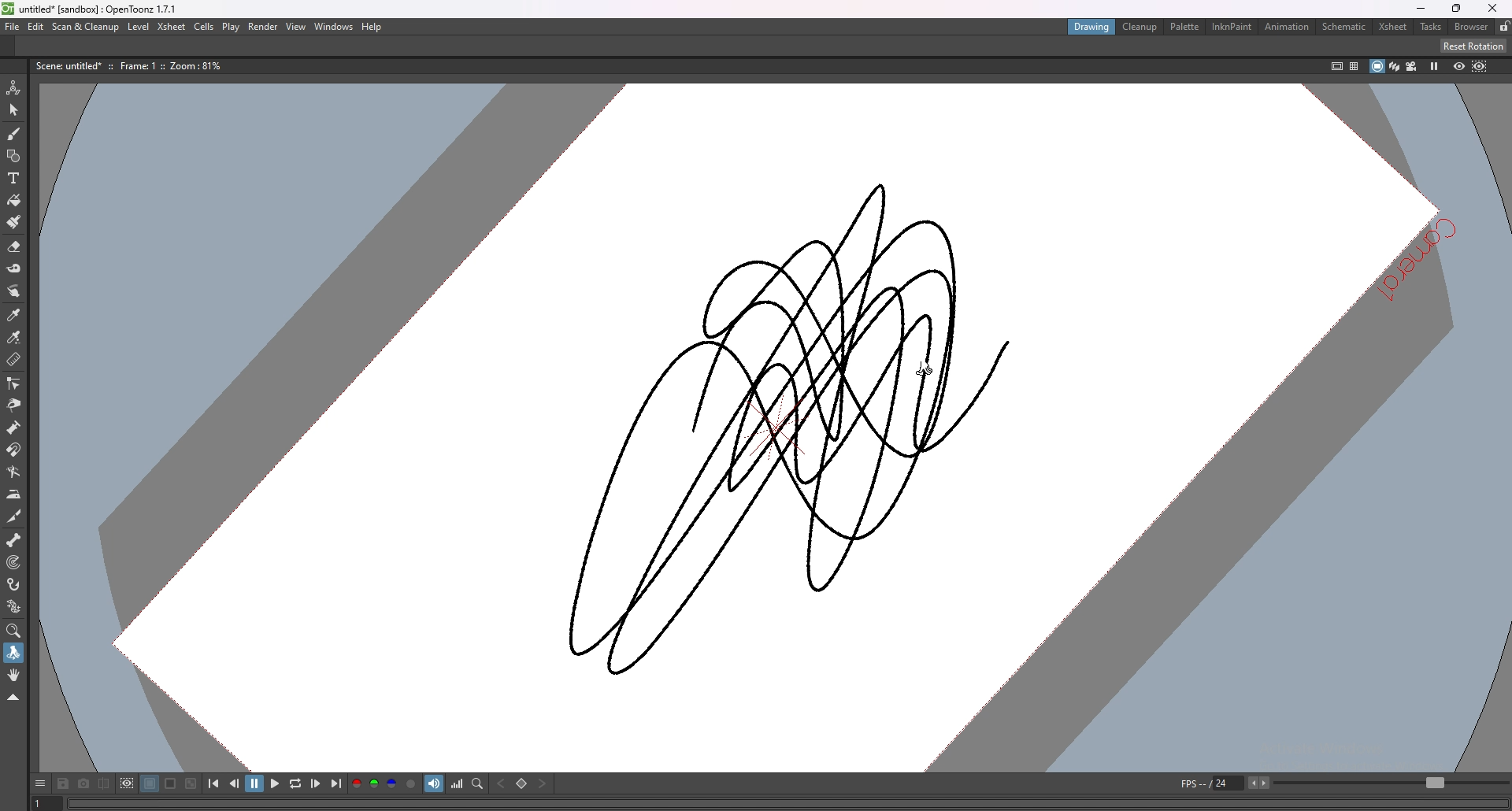 This screenshot has width=1512, height=811. I want to click on zoom, so click(13, 631).